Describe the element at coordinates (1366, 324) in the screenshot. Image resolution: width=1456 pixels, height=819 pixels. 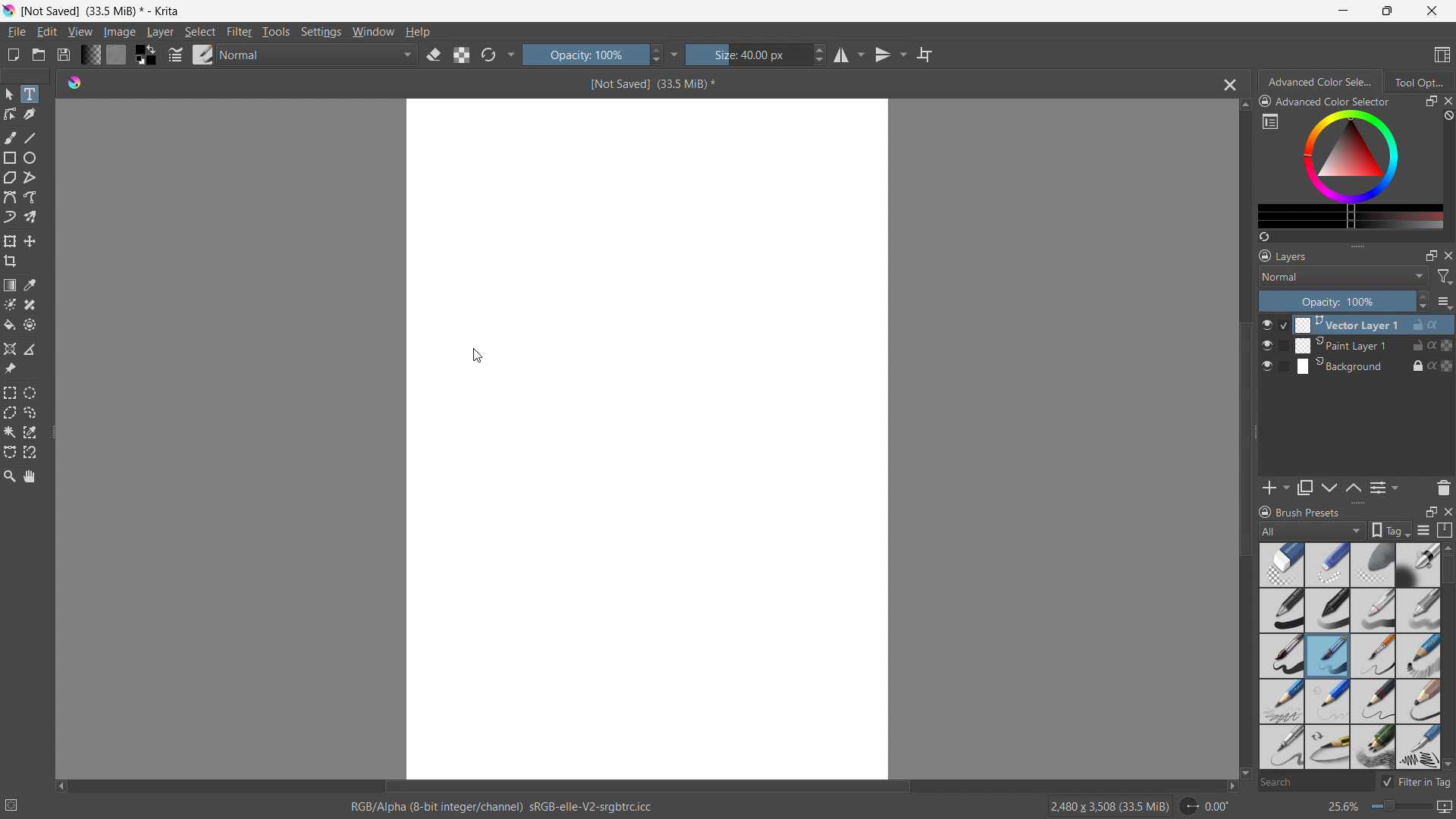
I see `Vector Layer 1` at that location.